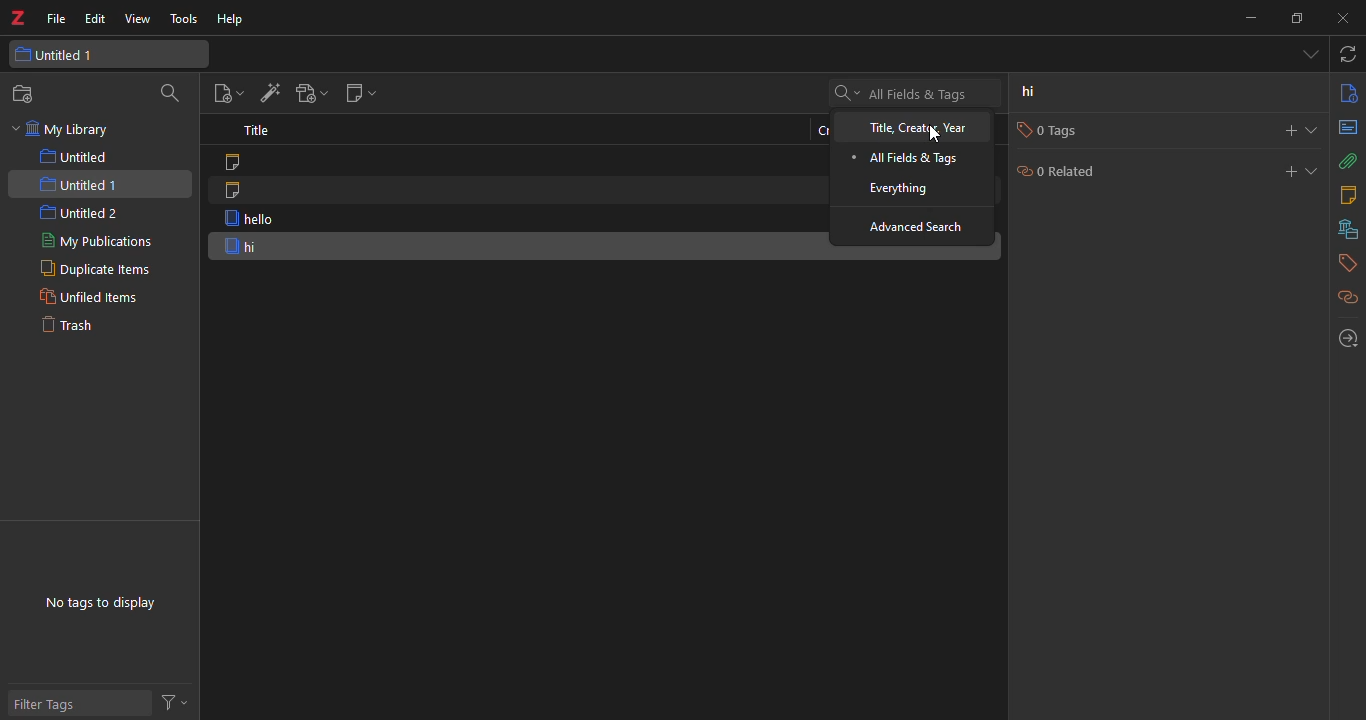 This screenshot has height=720, width=1366. I want to click on note, so click(233, 160).